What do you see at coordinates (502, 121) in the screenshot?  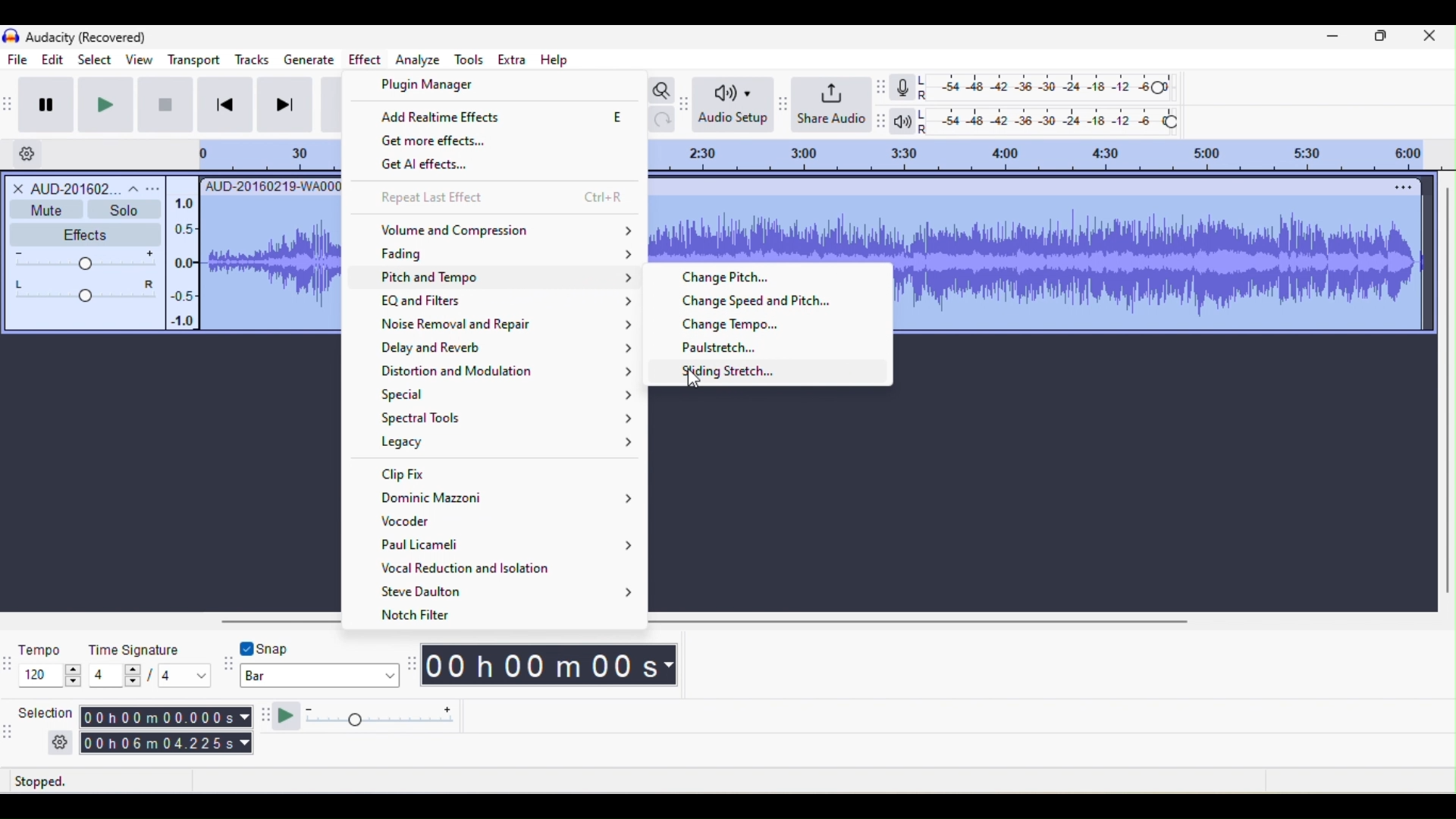 I see `add realtime effects` at bounding box center [502, 121].